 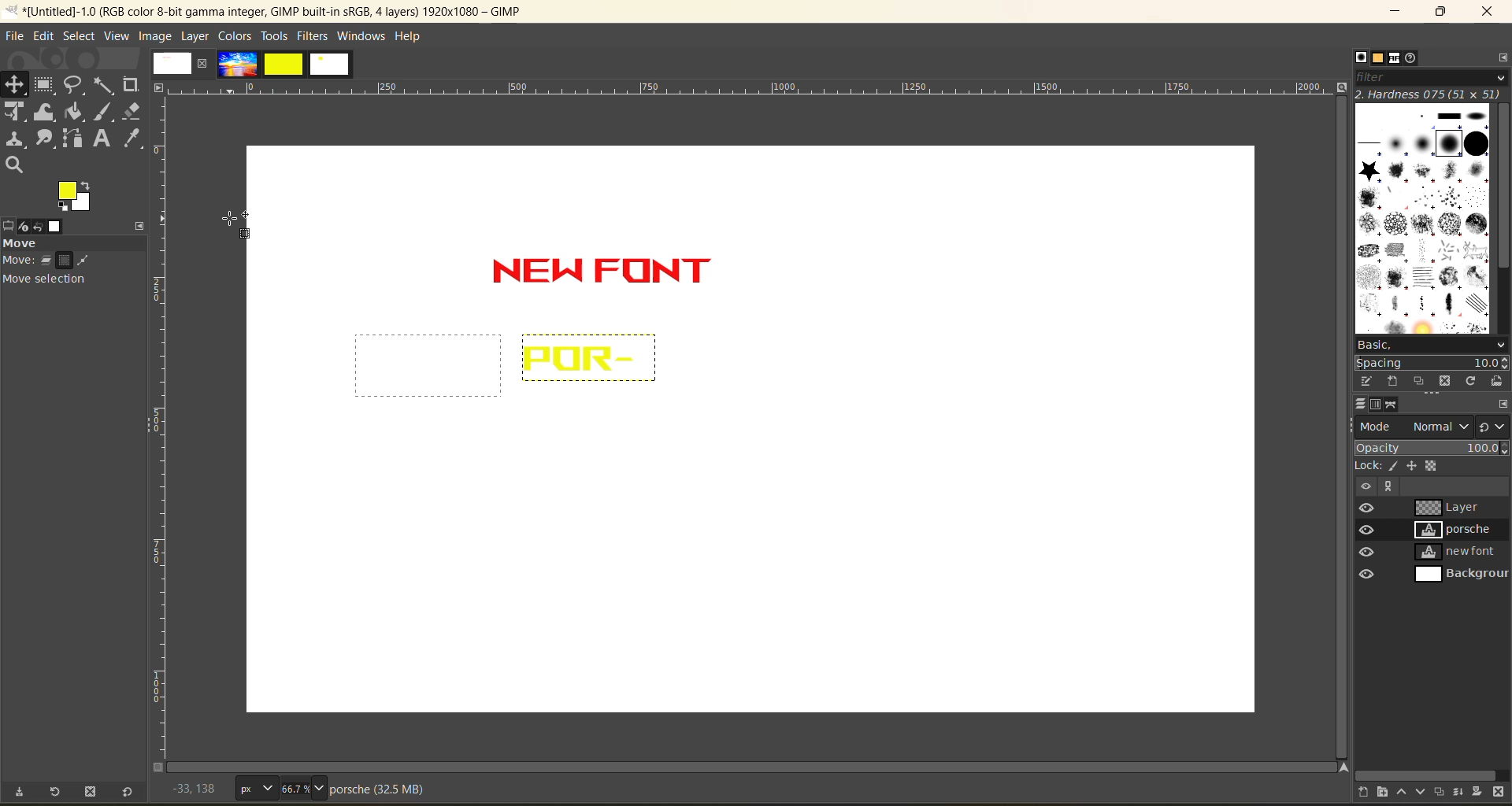 I want to click on refresh brushes, so click(x=1467, y=381).